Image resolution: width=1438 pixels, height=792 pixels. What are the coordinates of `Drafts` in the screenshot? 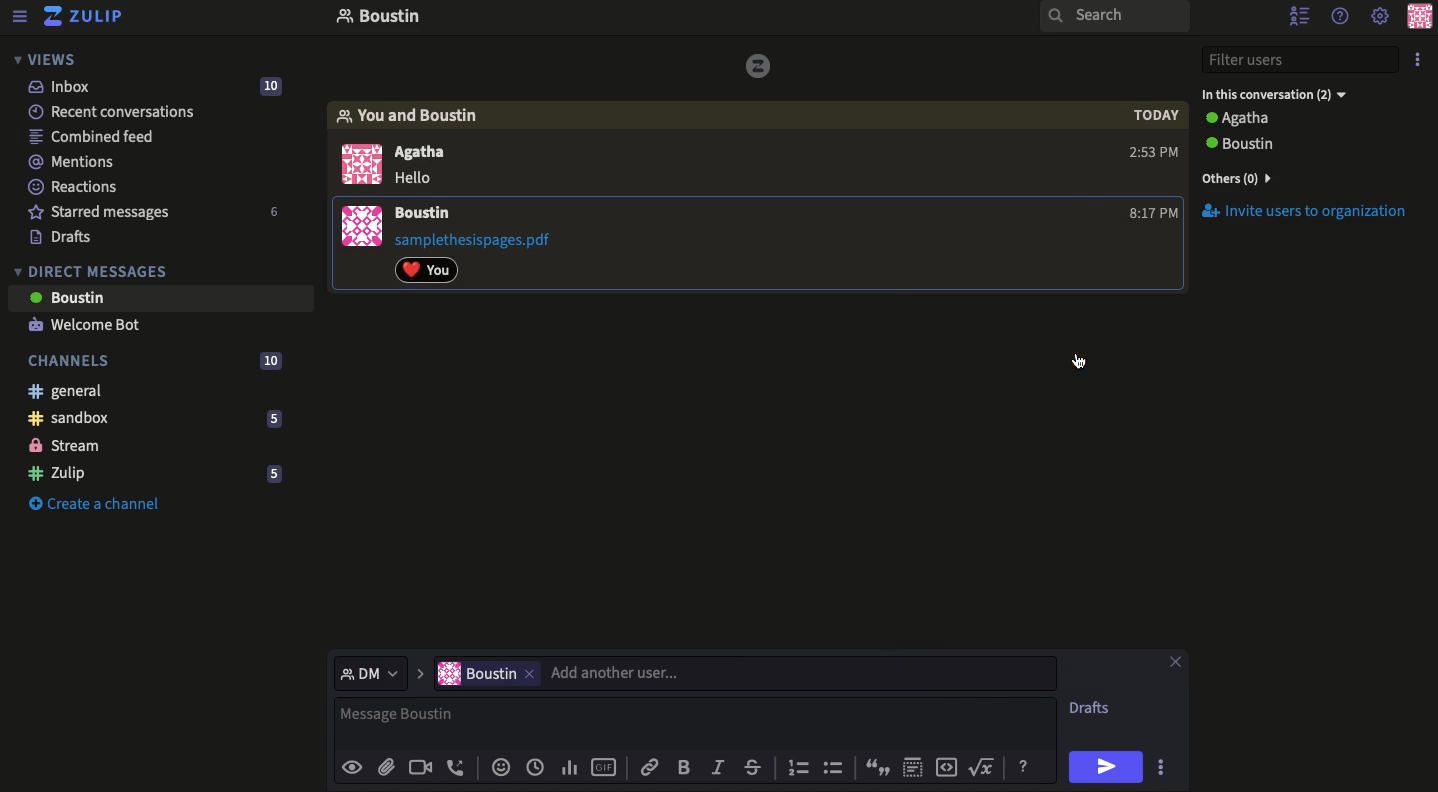 It's located at (1090, 702).